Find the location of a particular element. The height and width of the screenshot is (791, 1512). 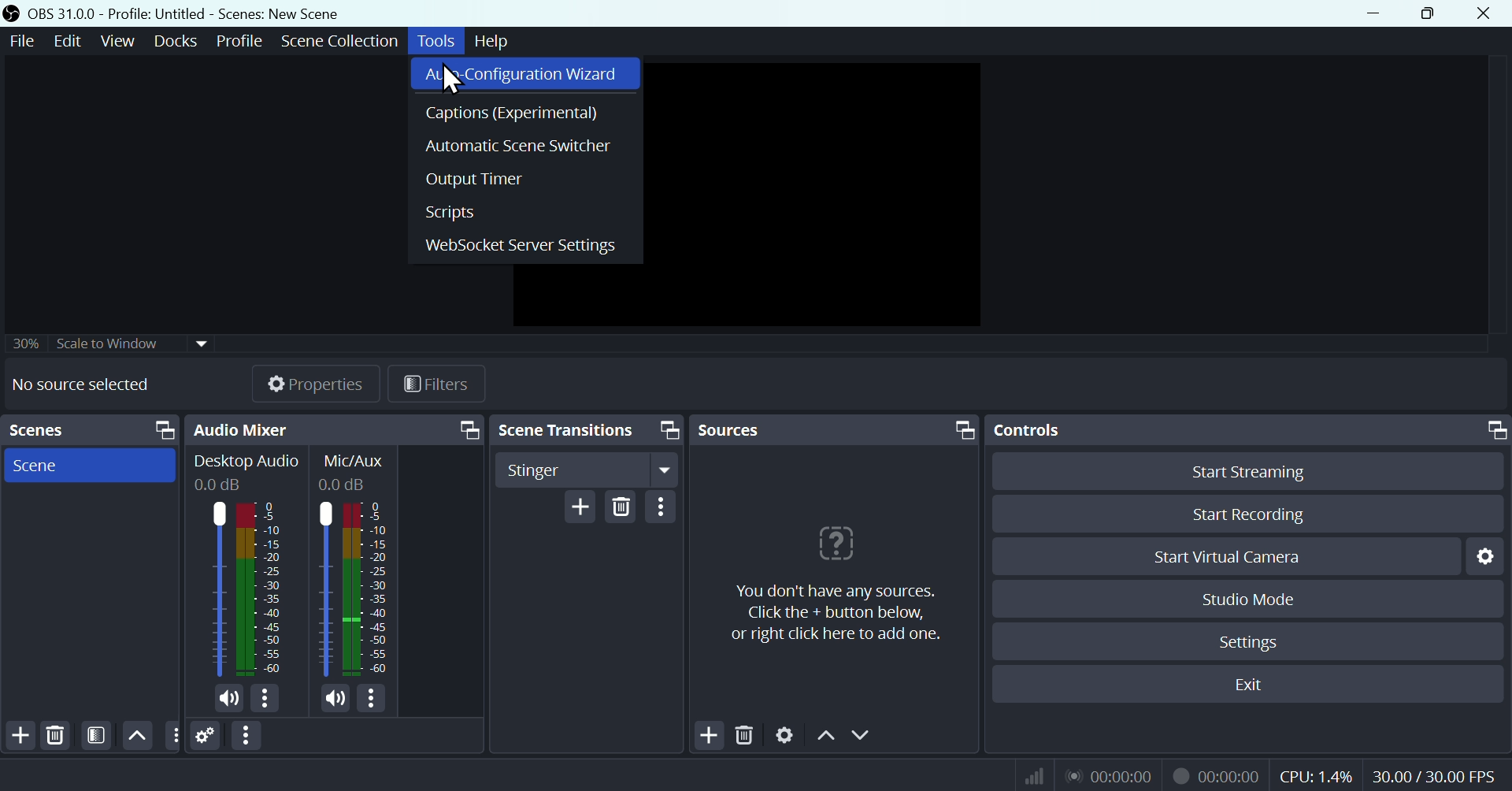

Scene collection is located at coordinates (343, 43).